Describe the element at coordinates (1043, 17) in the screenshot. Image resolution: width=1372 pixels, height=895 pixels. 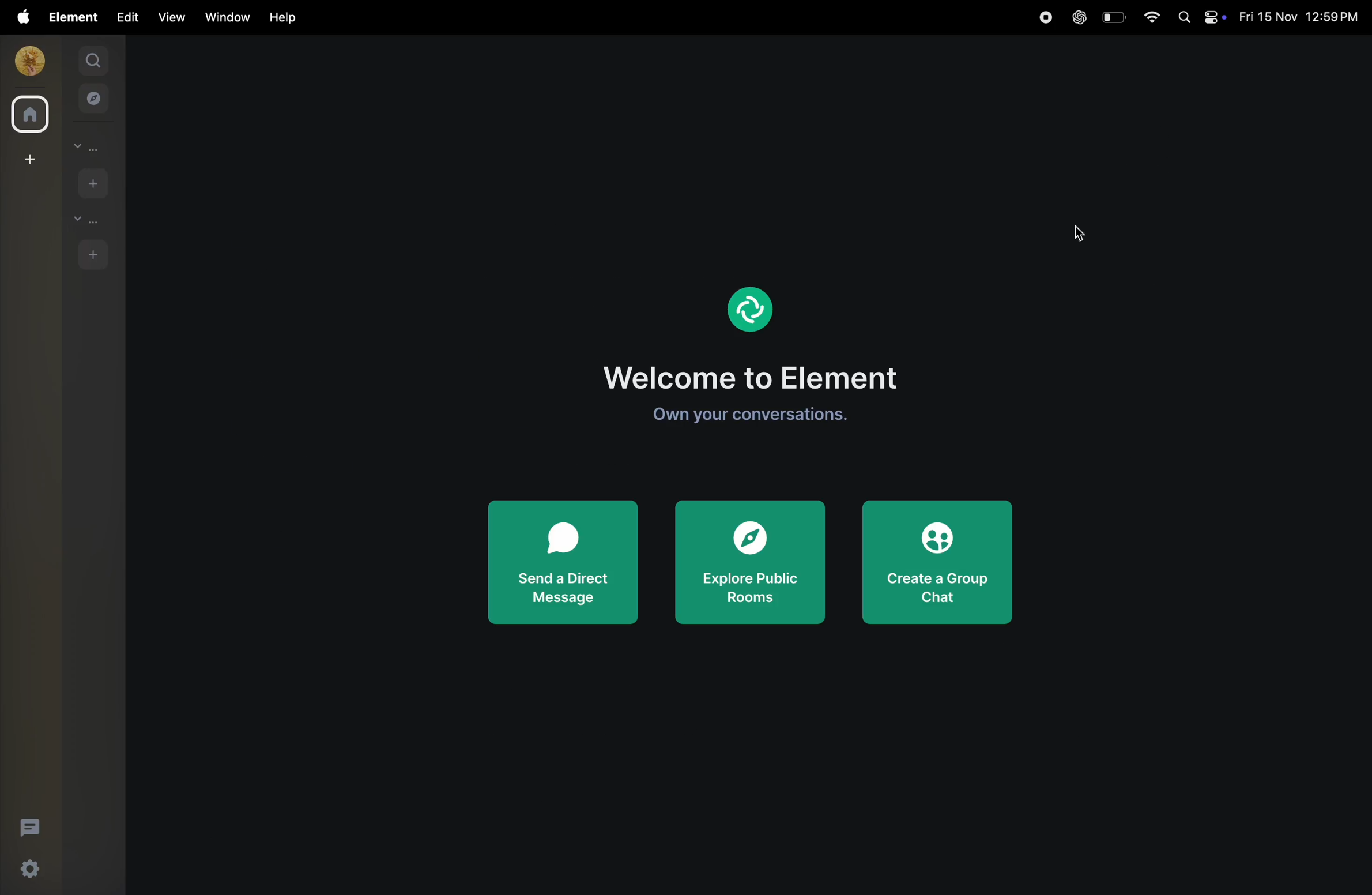
I see `record` at that location.